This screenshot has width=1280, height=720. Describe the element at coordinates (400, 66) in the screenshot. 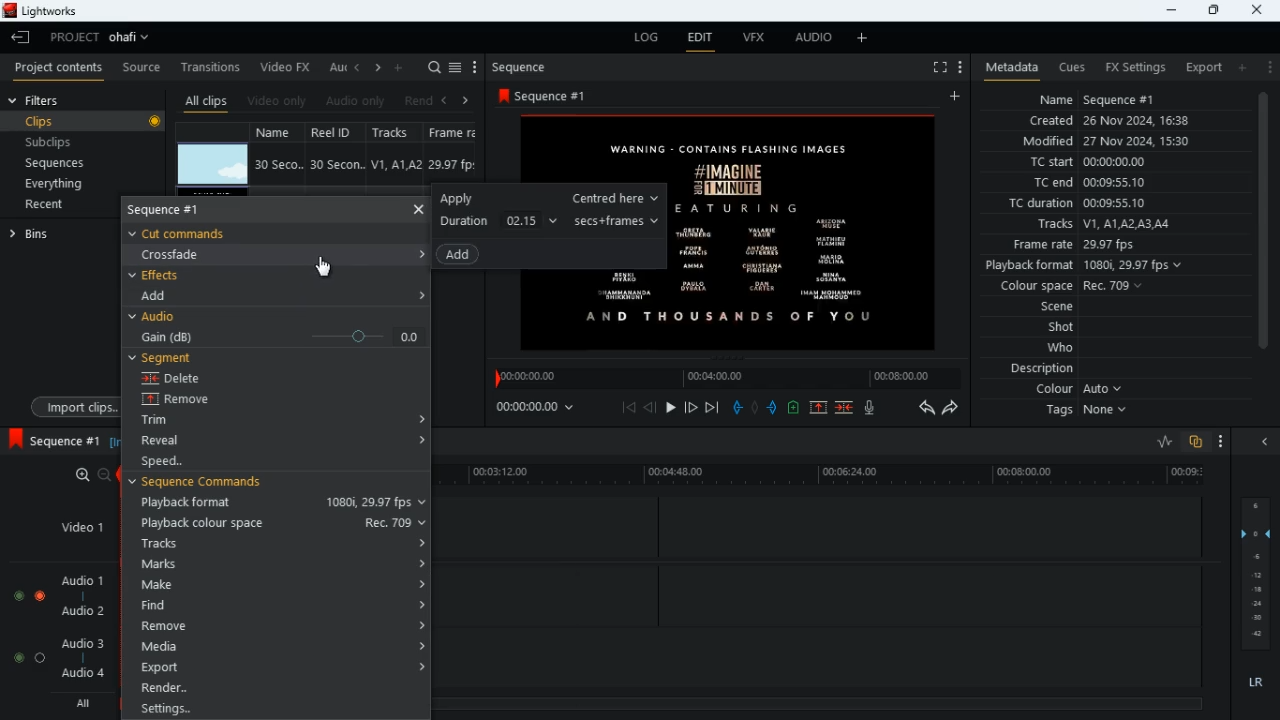

I see `add` at that location.